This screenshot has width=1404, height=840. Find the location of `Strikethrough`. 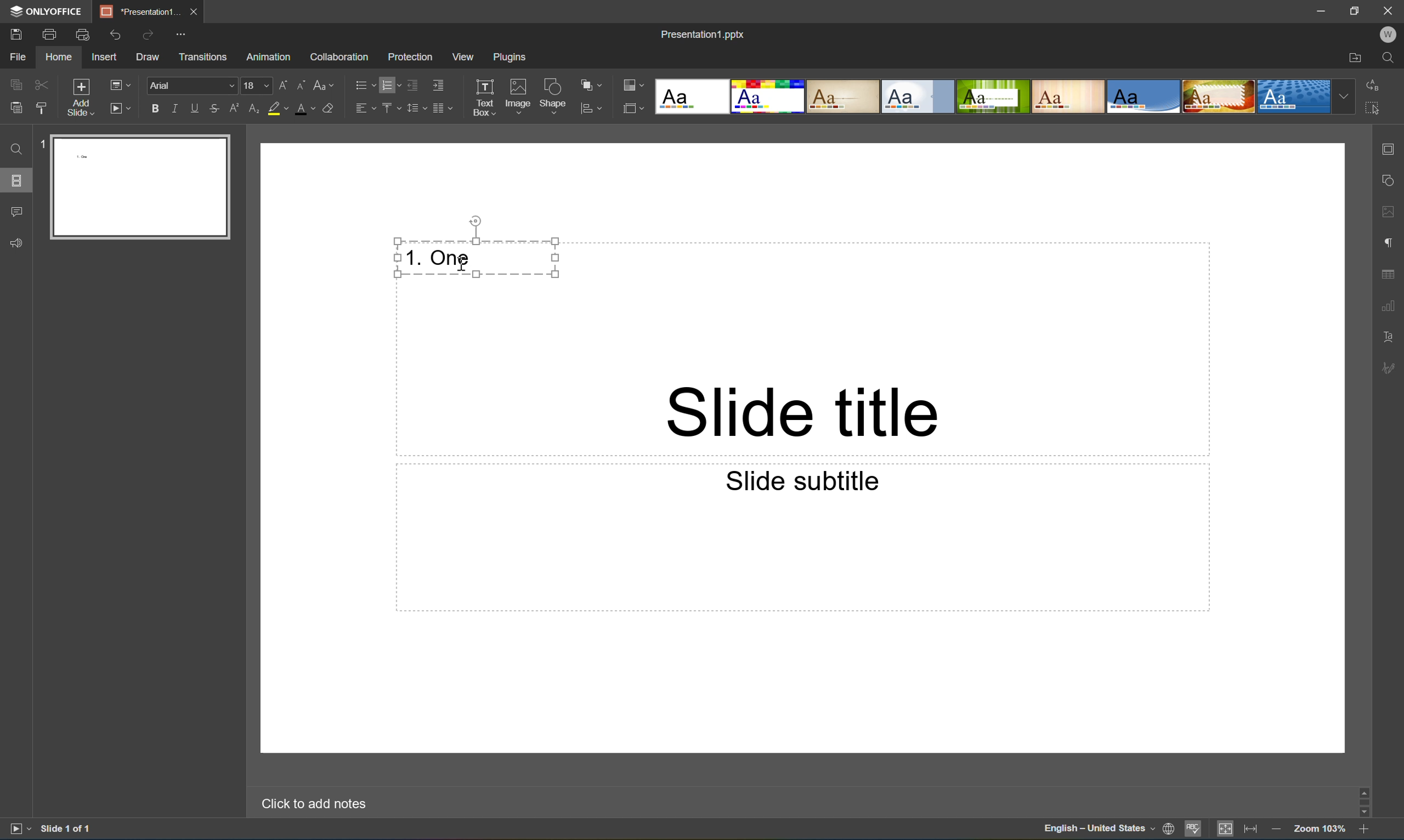

Strikethrough is located at coordinates (215, 108).